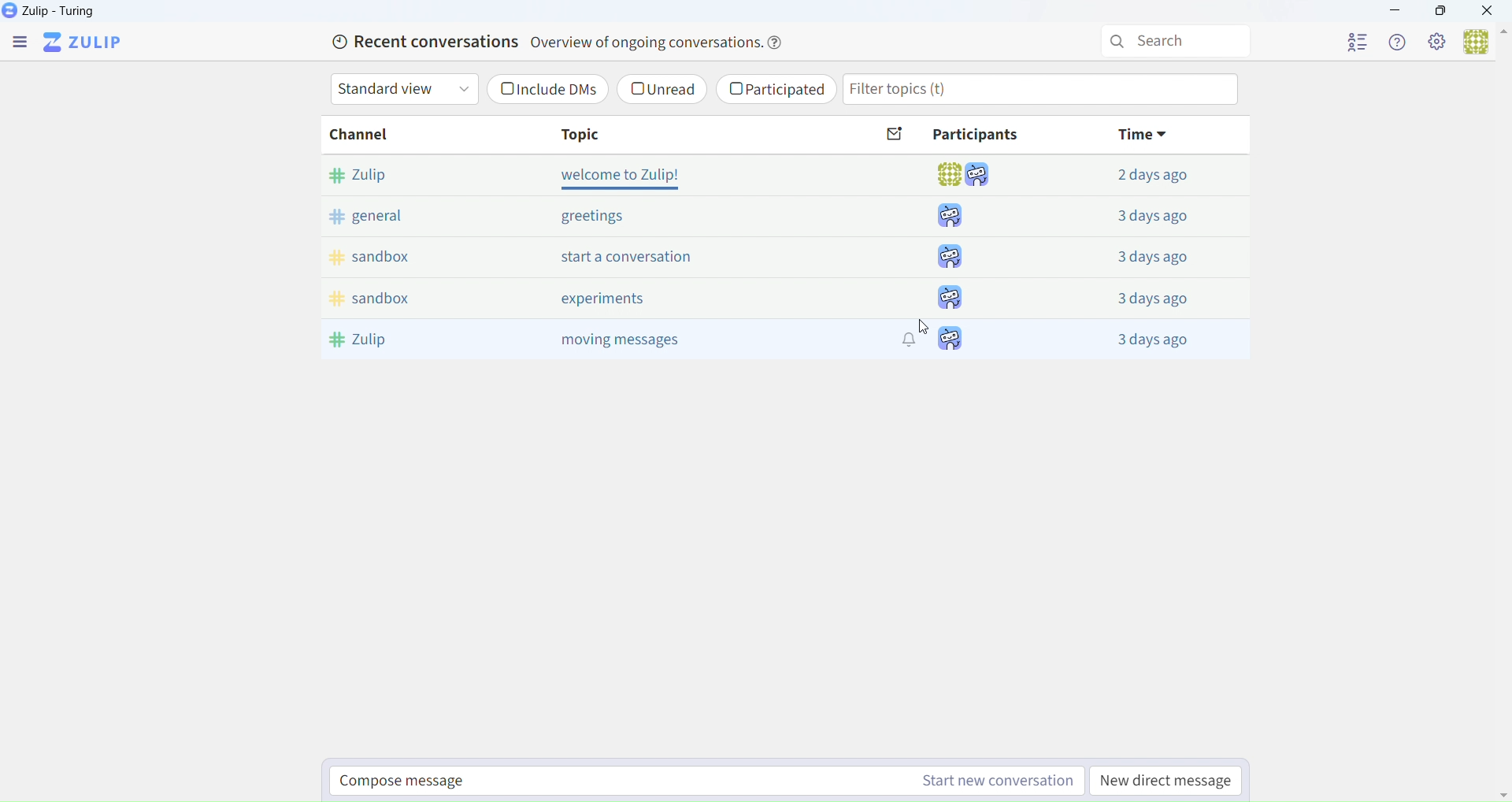 This screenshot has height=802, width=1512. Describe the element at coordinates (1359, 45) in the screenshot. I see `User list` at that location.